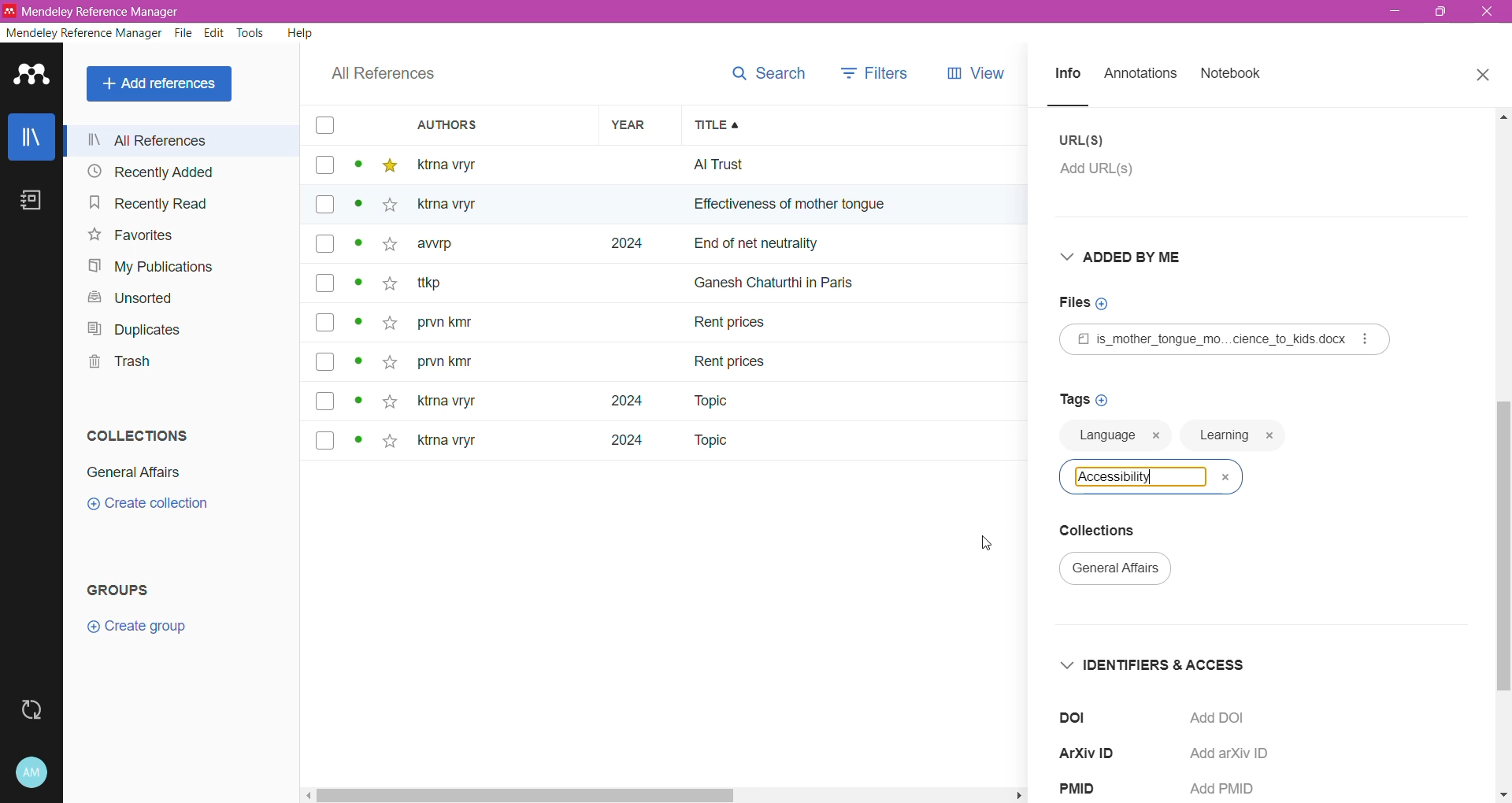  Describe the element at coordinates (357, 168) in the screenshot. I see `dot ` at that location.